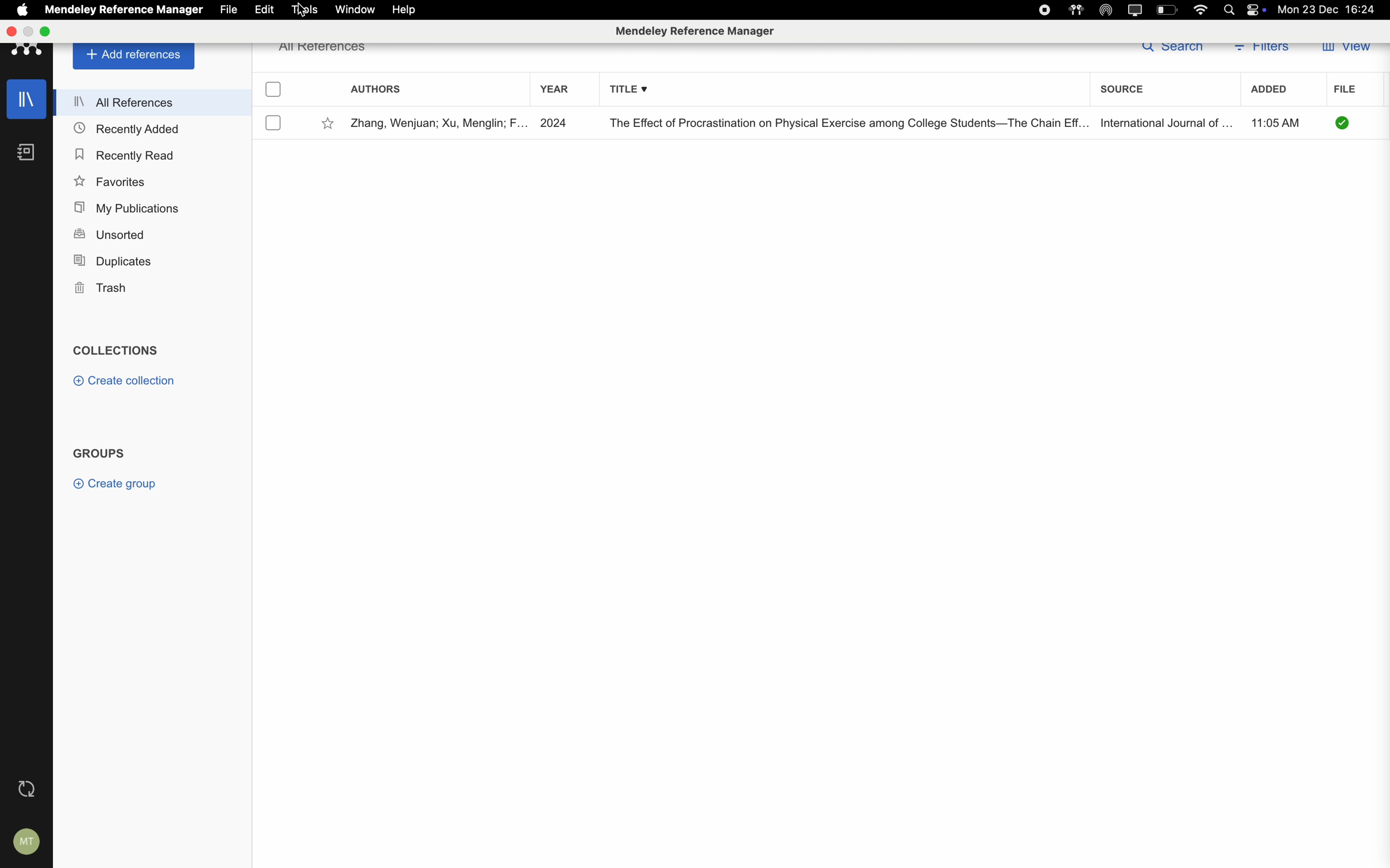 The height and width of the screenshot is (868, 1390). I want to click on 2024, so click(555, 123).